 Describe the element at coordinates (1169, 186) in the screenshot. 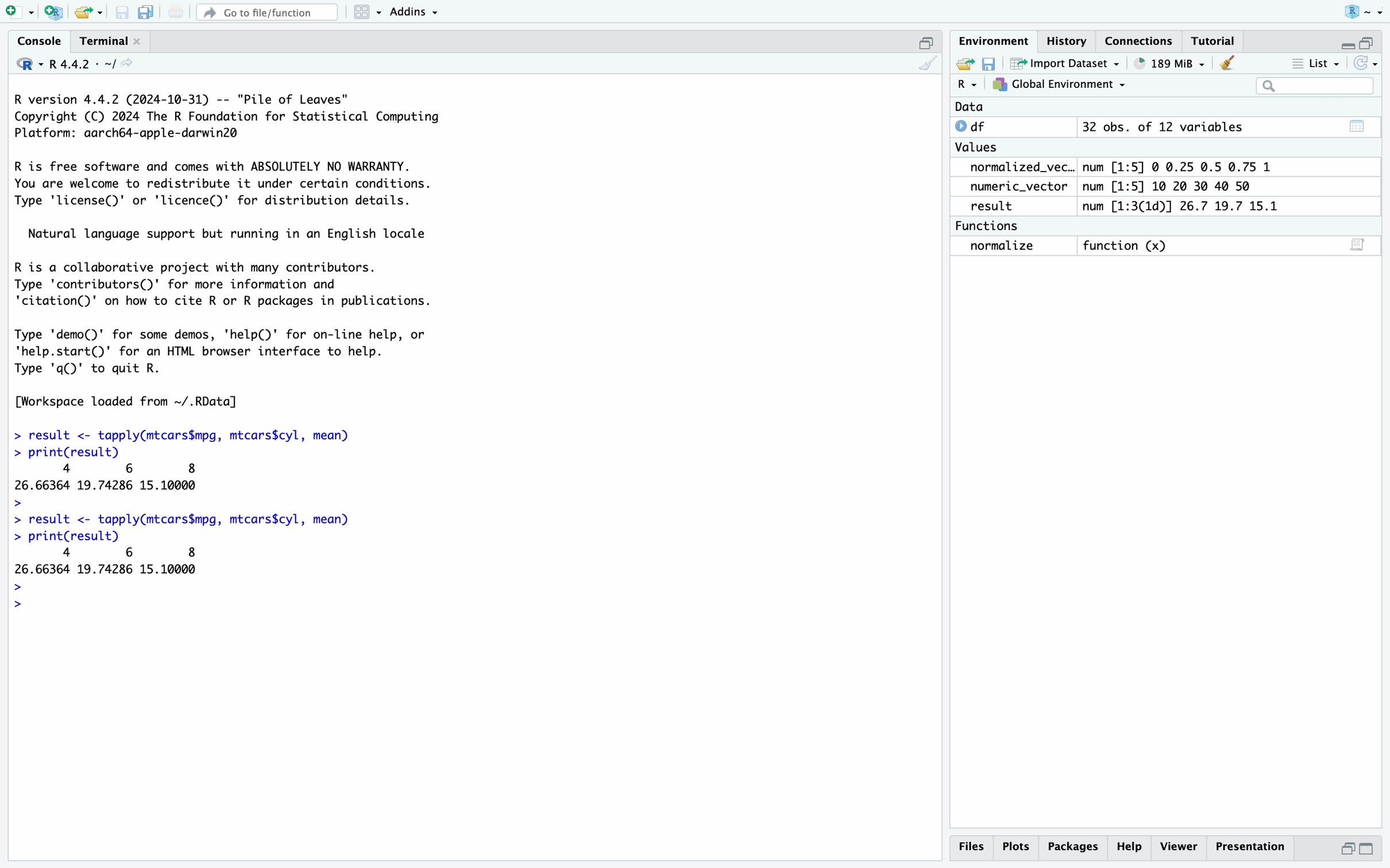

I see `num [1:5] 10 20 30 40 50` at that location.